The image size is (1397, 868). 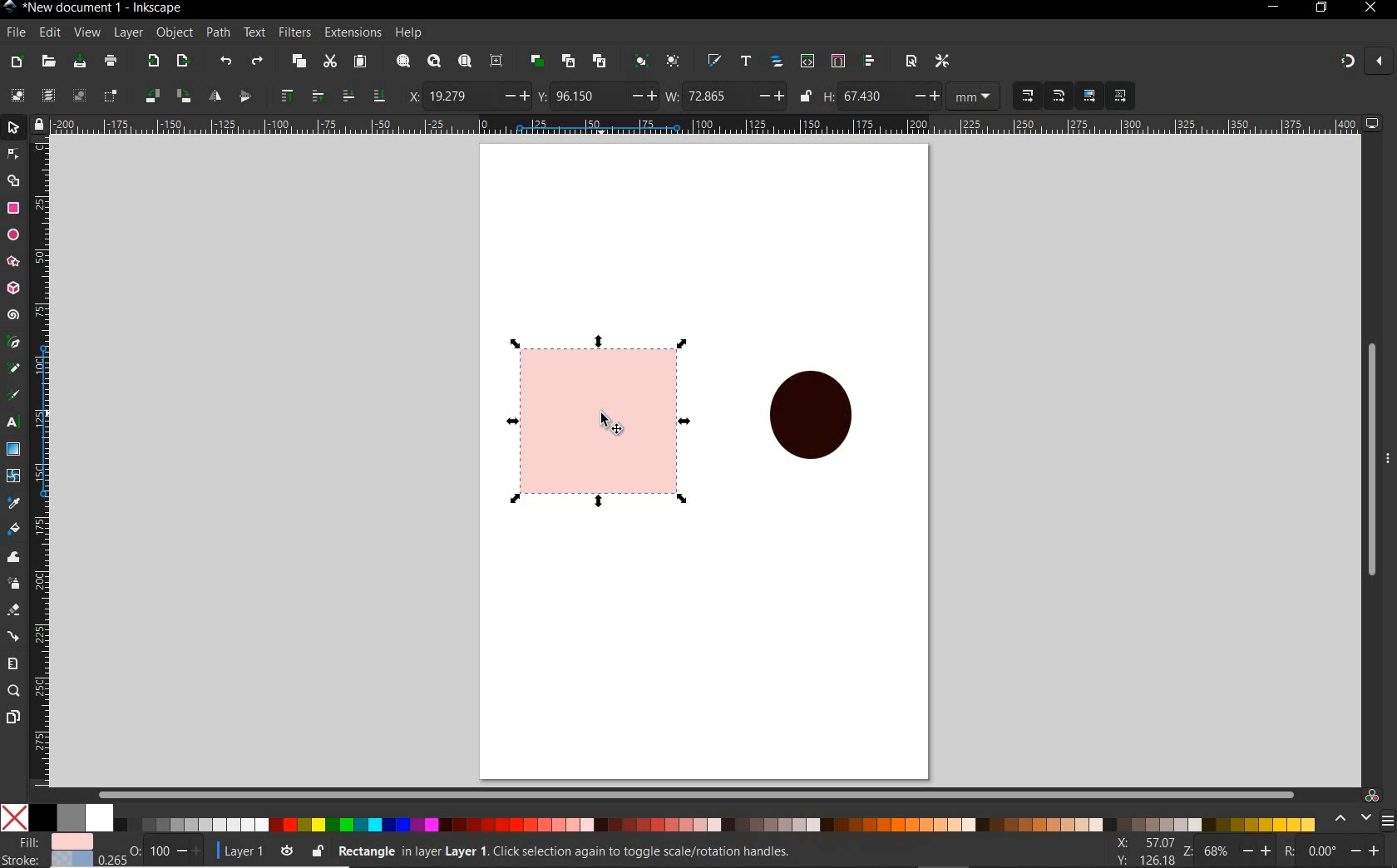 What do you see at coordinates (17, 95) in the screenshot?
I see `select all` at bounding box center [17, 95].